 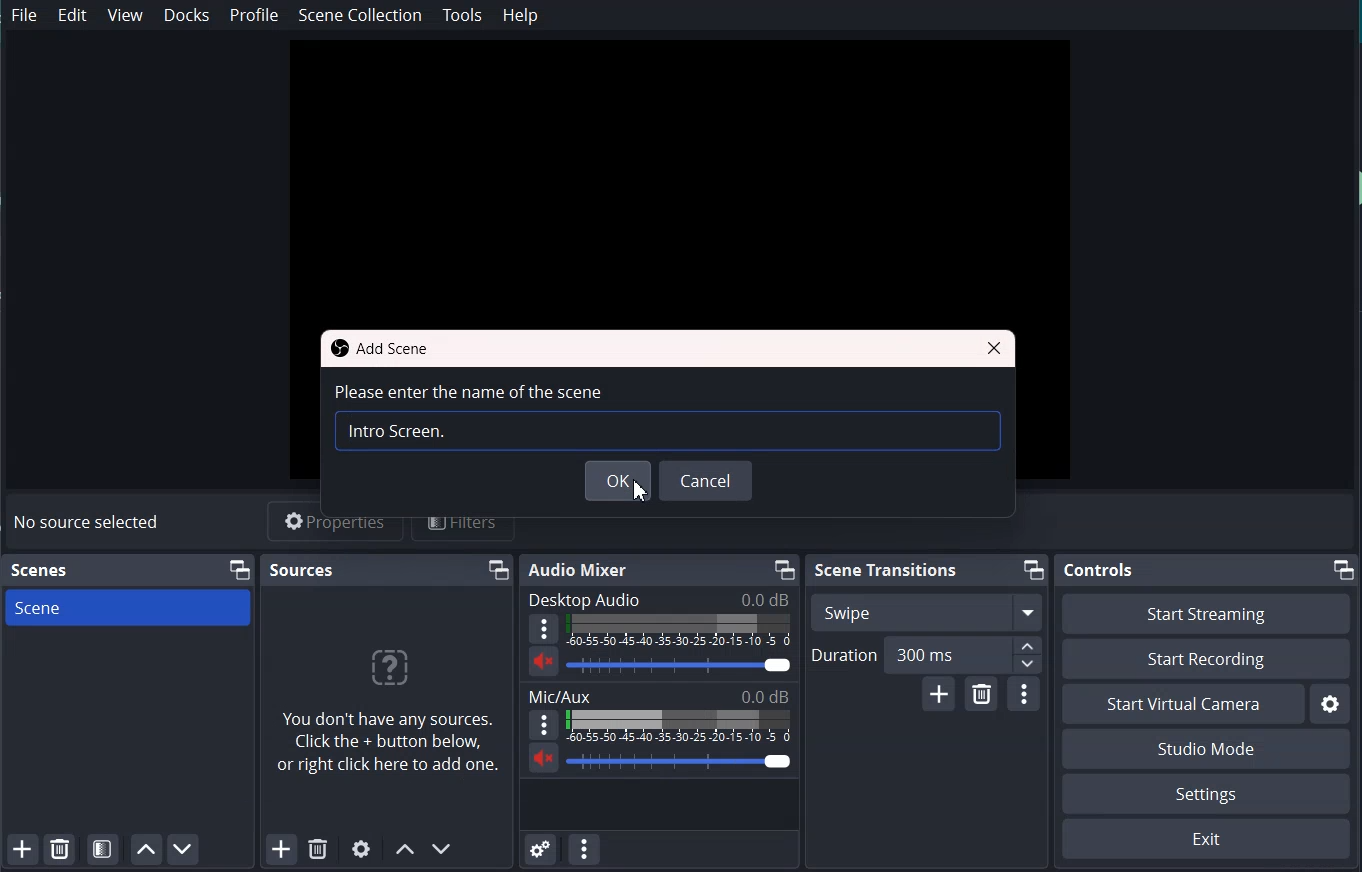 I want to click on Docks, so click(x=187, y=15).